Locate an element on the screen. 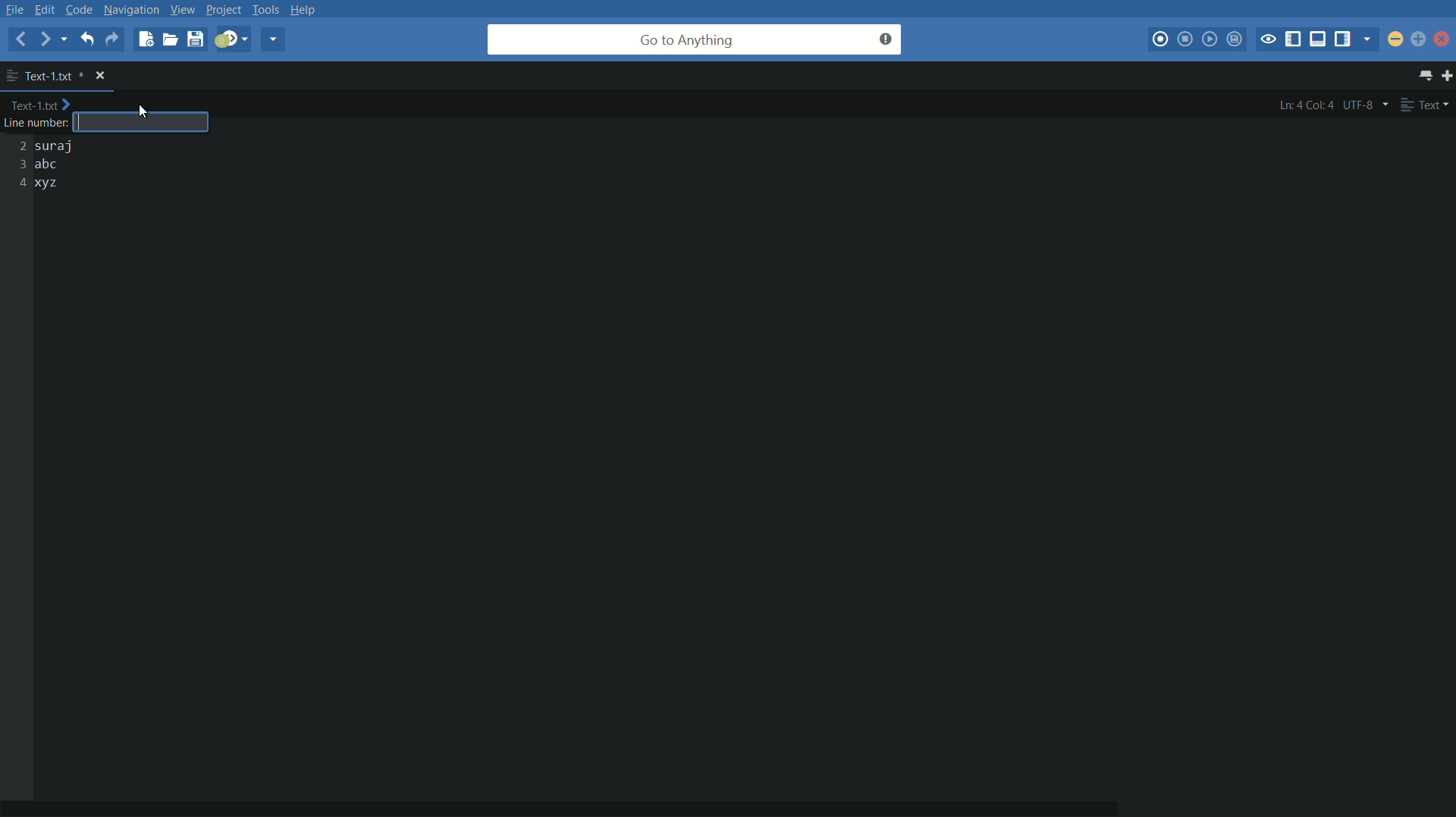  forward is located at coordinates (46, 40).